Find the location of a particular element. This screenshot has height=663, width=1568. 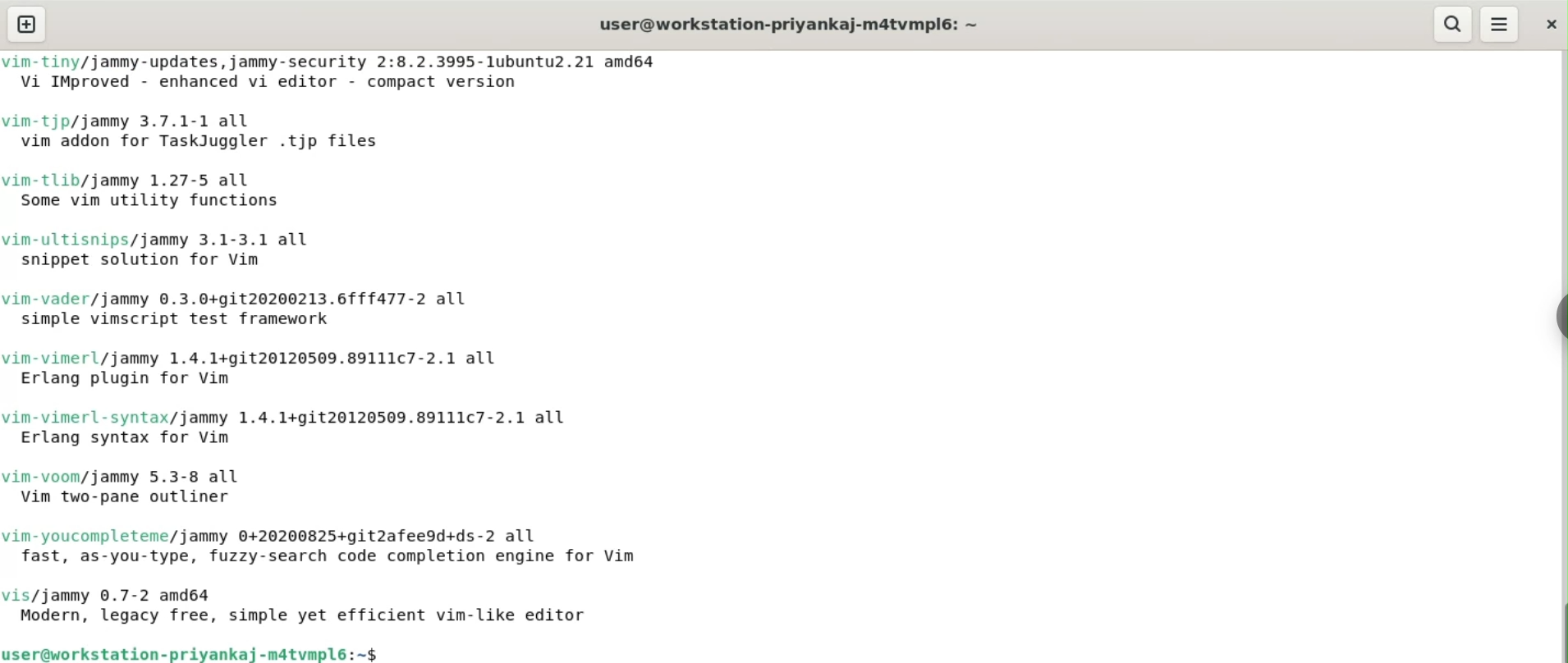

close is located at coordinates (1554, 21).